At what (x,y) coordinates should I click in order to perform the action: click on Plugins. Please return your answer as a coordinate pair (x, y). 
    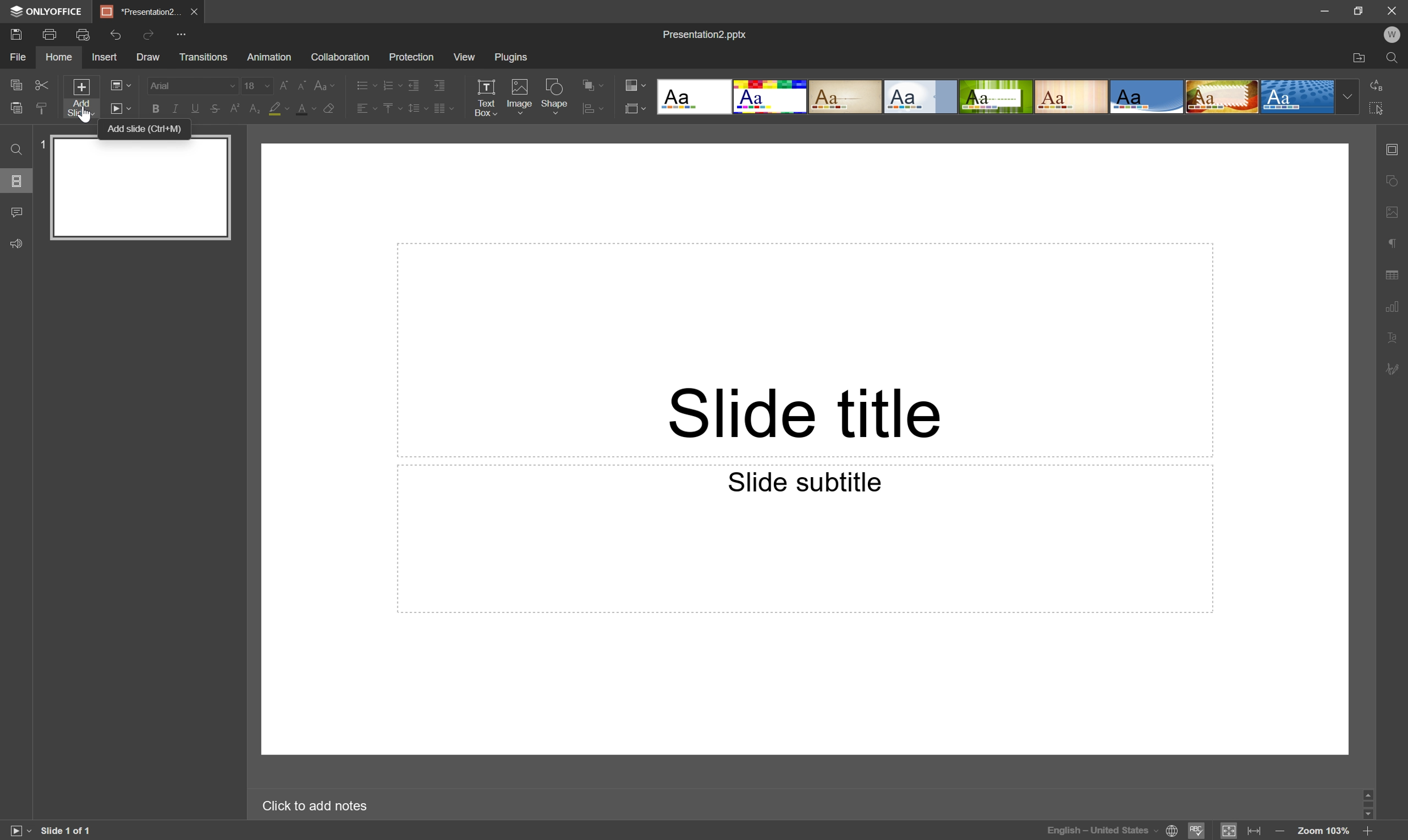
    Looking at the image, I should click on (512, 57).